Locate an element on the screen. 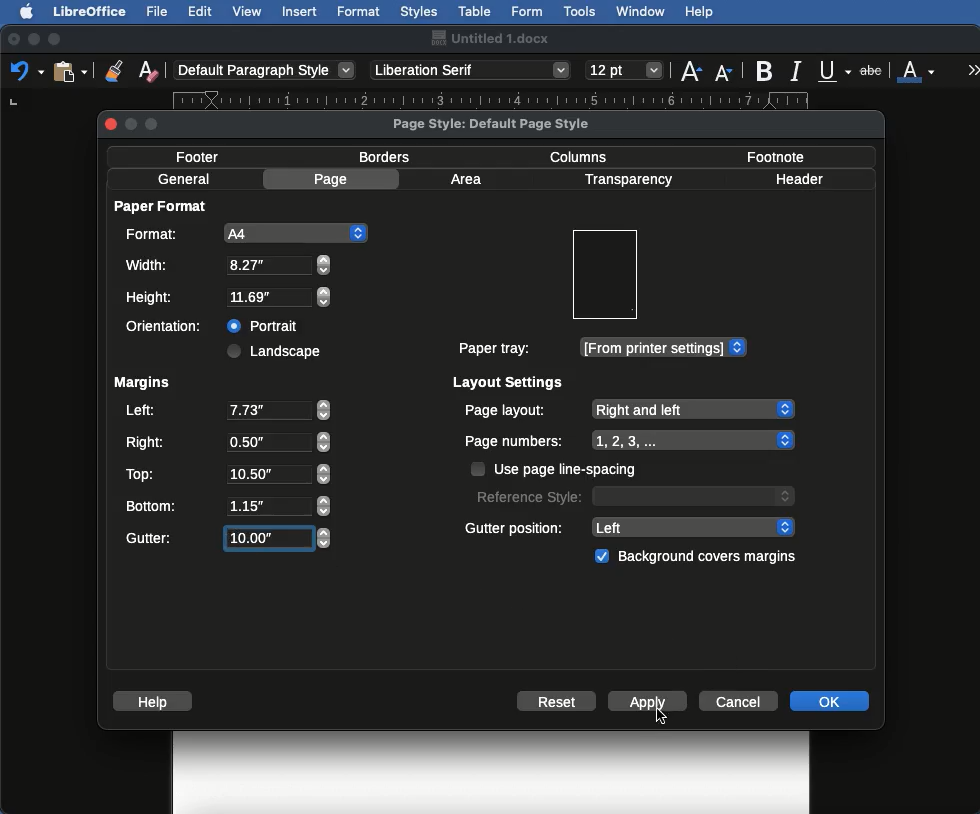 The height and width of the screenshot is (814, 980). Undo is located at coordinates (26, 70).